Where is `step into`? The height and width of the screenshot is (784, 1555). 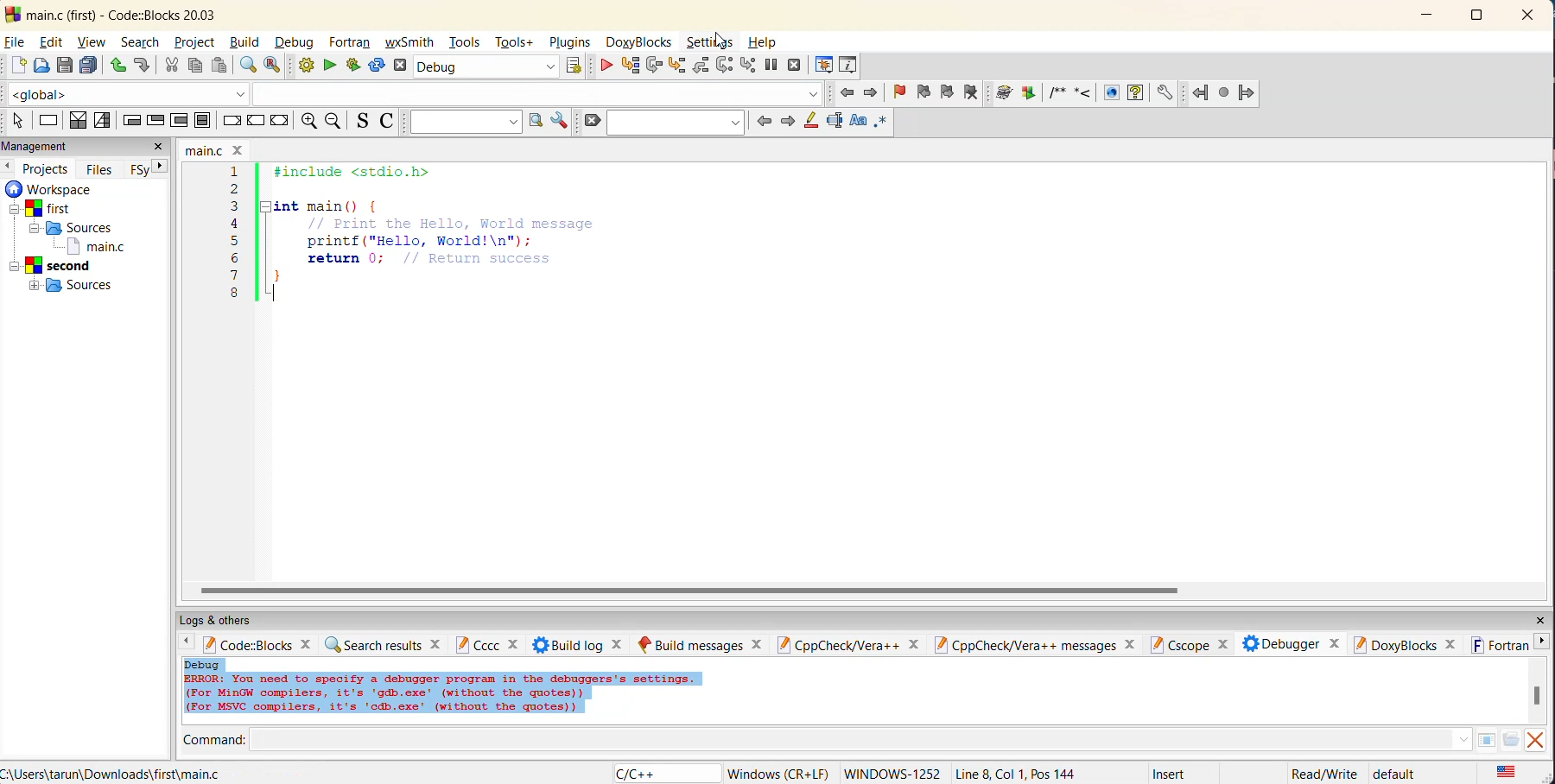
step into is located at coordinates (676, 65).